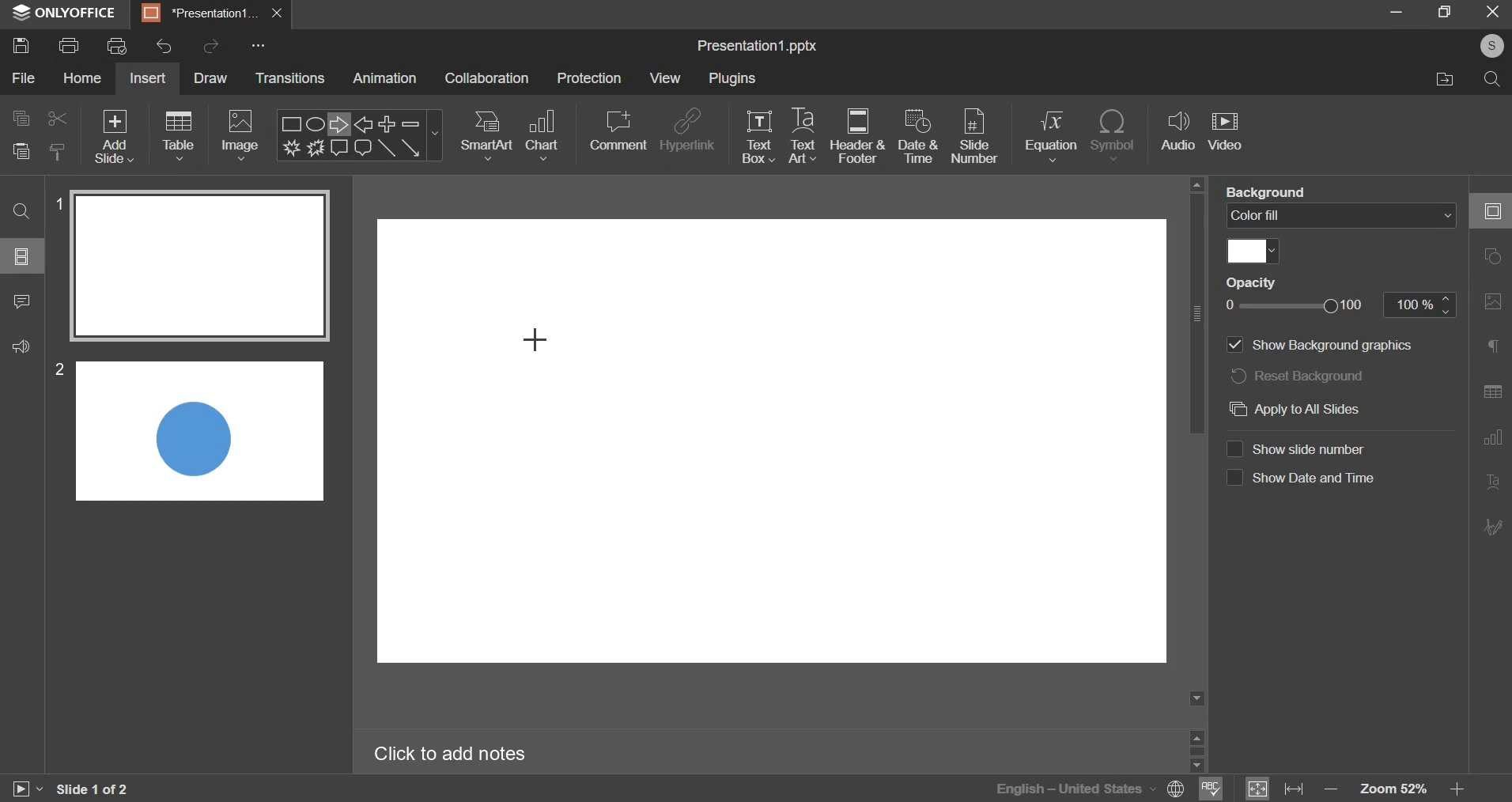  I want to click on Minus, so click(411, 123).